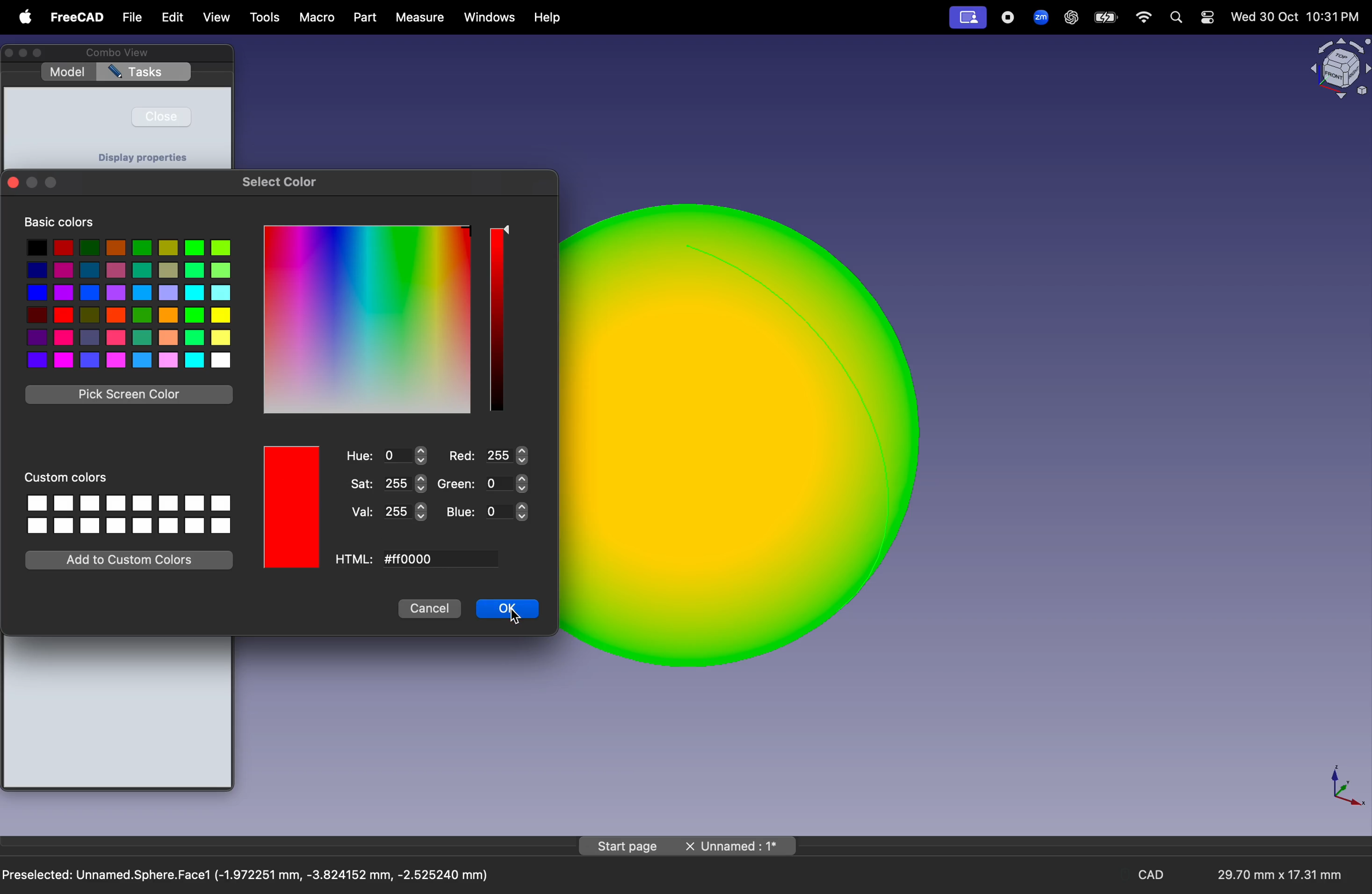 The width and height of the screenshot is (1372, 894). I want to click on add custom color, so click(133, 559).